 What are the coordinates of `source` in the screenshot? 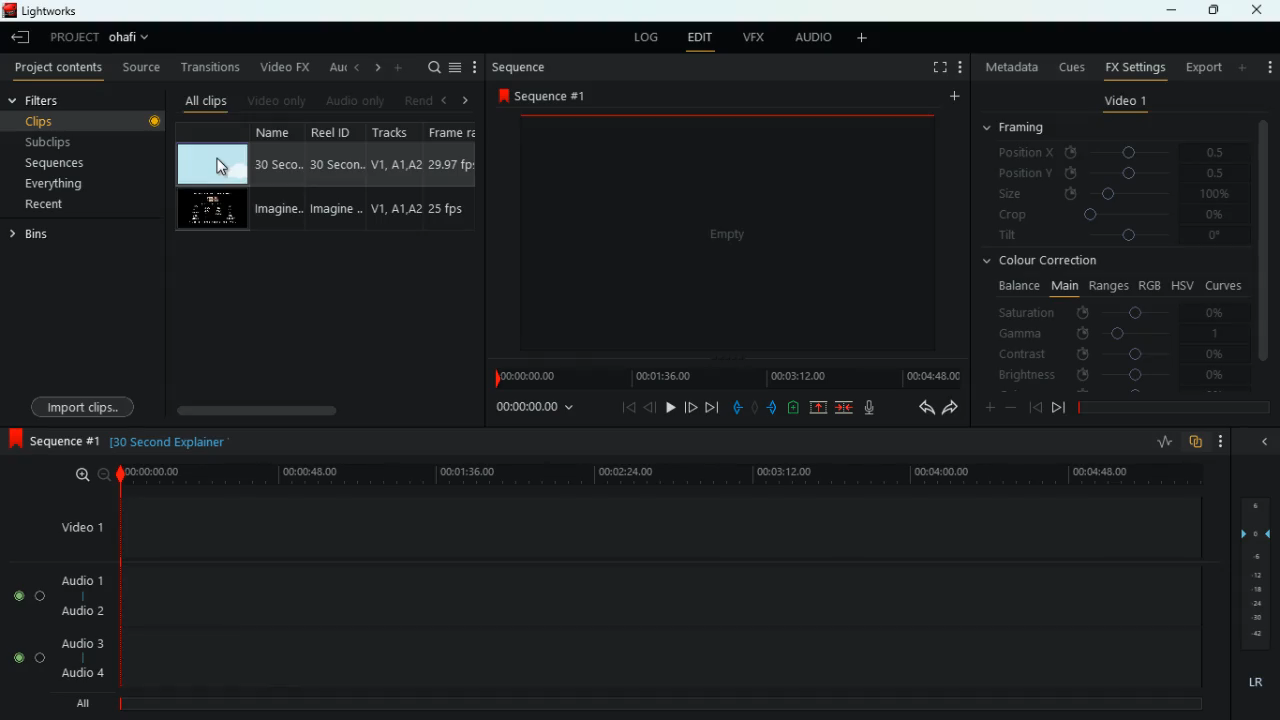 It's located at (139, 68).